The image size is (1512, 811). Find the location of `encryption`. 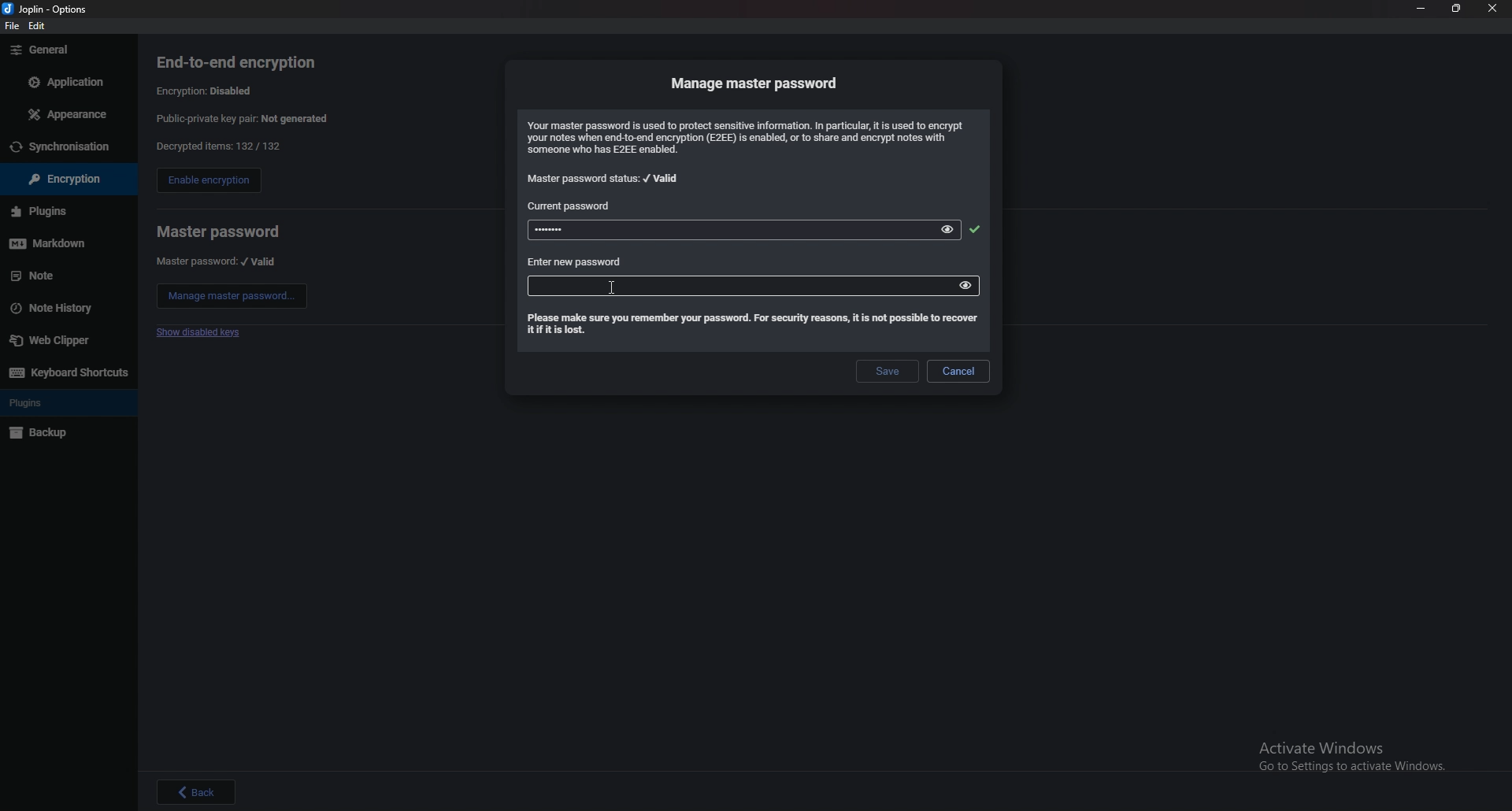

encryption is located at coordinates (60, 180).